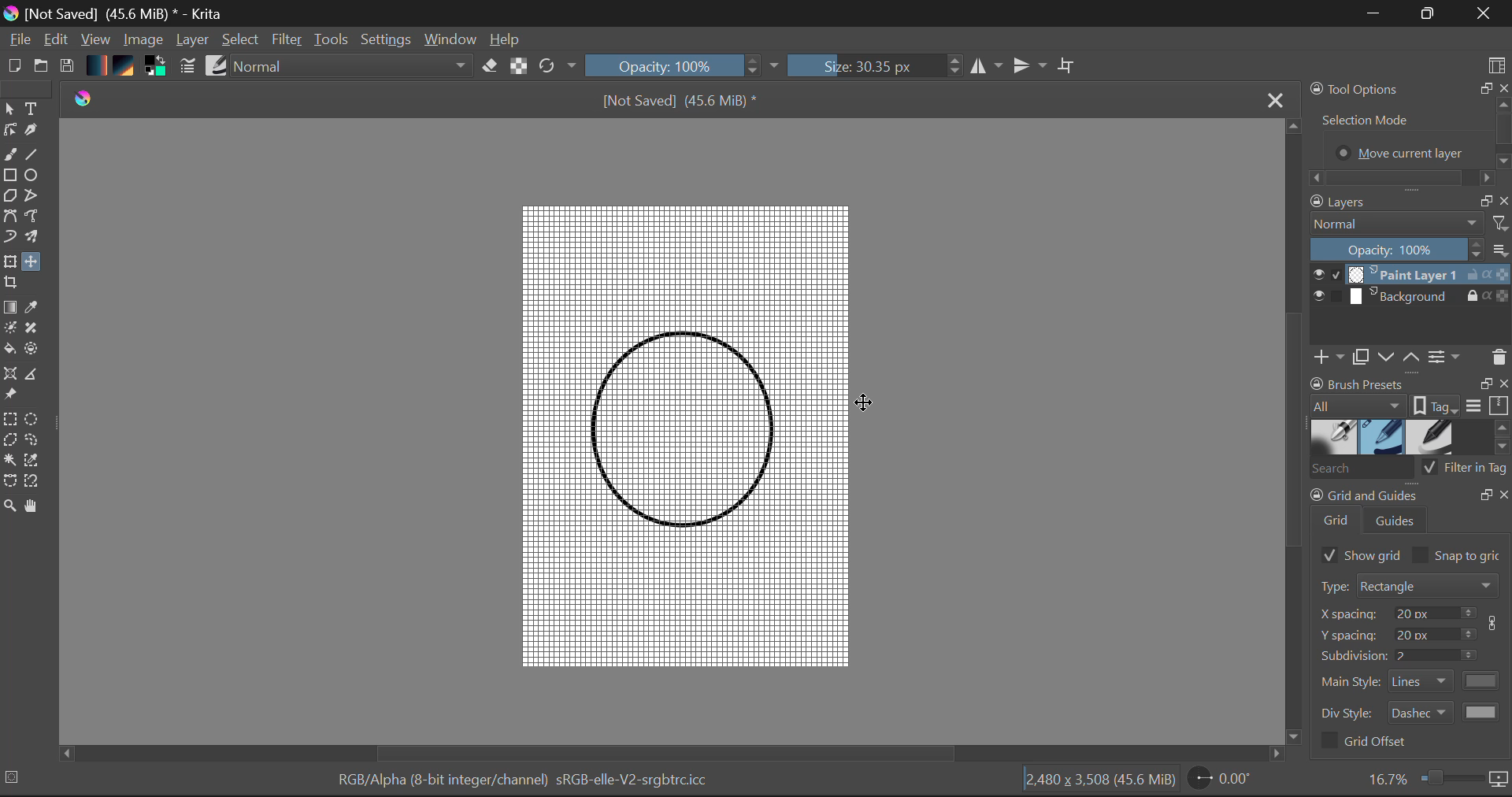 This screenshot has height=797, width=1512. I want to click on Gradient Fill, so click(10, 306).